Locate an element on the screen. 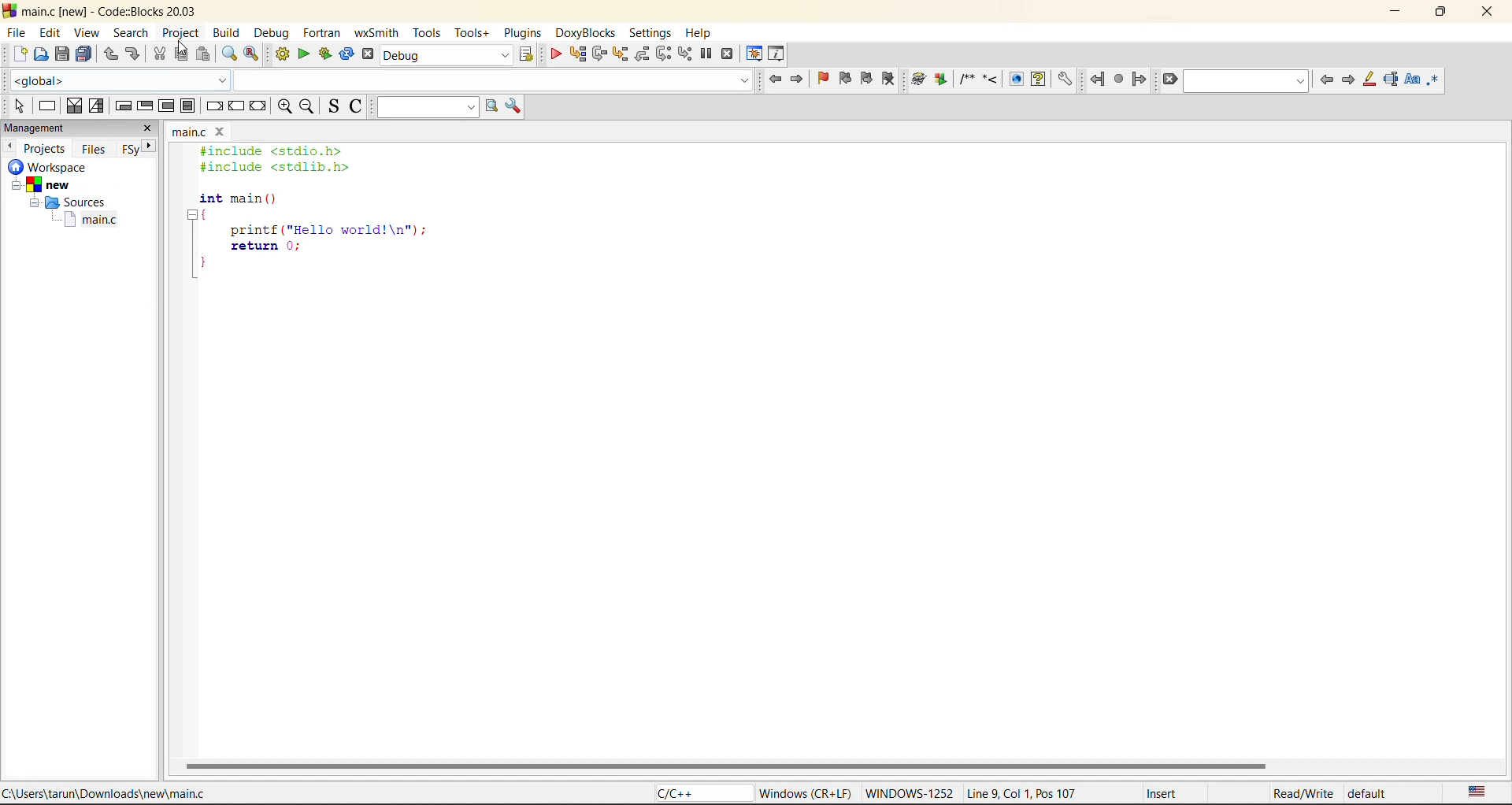  break instruction is located at coordinates (187, 106).